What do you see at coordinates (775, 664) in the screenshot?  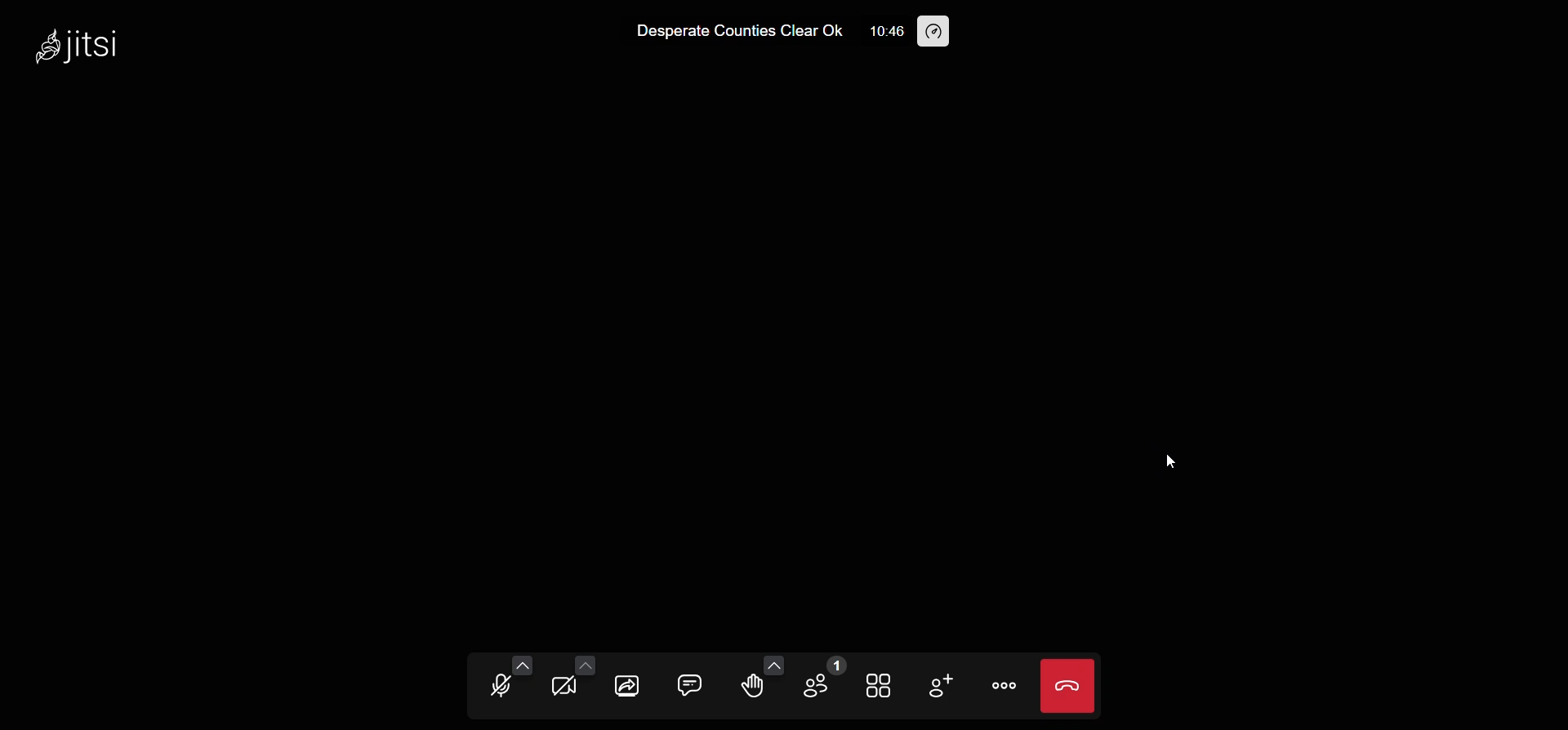 I see `more emoji` at bounding box center [775, 664].